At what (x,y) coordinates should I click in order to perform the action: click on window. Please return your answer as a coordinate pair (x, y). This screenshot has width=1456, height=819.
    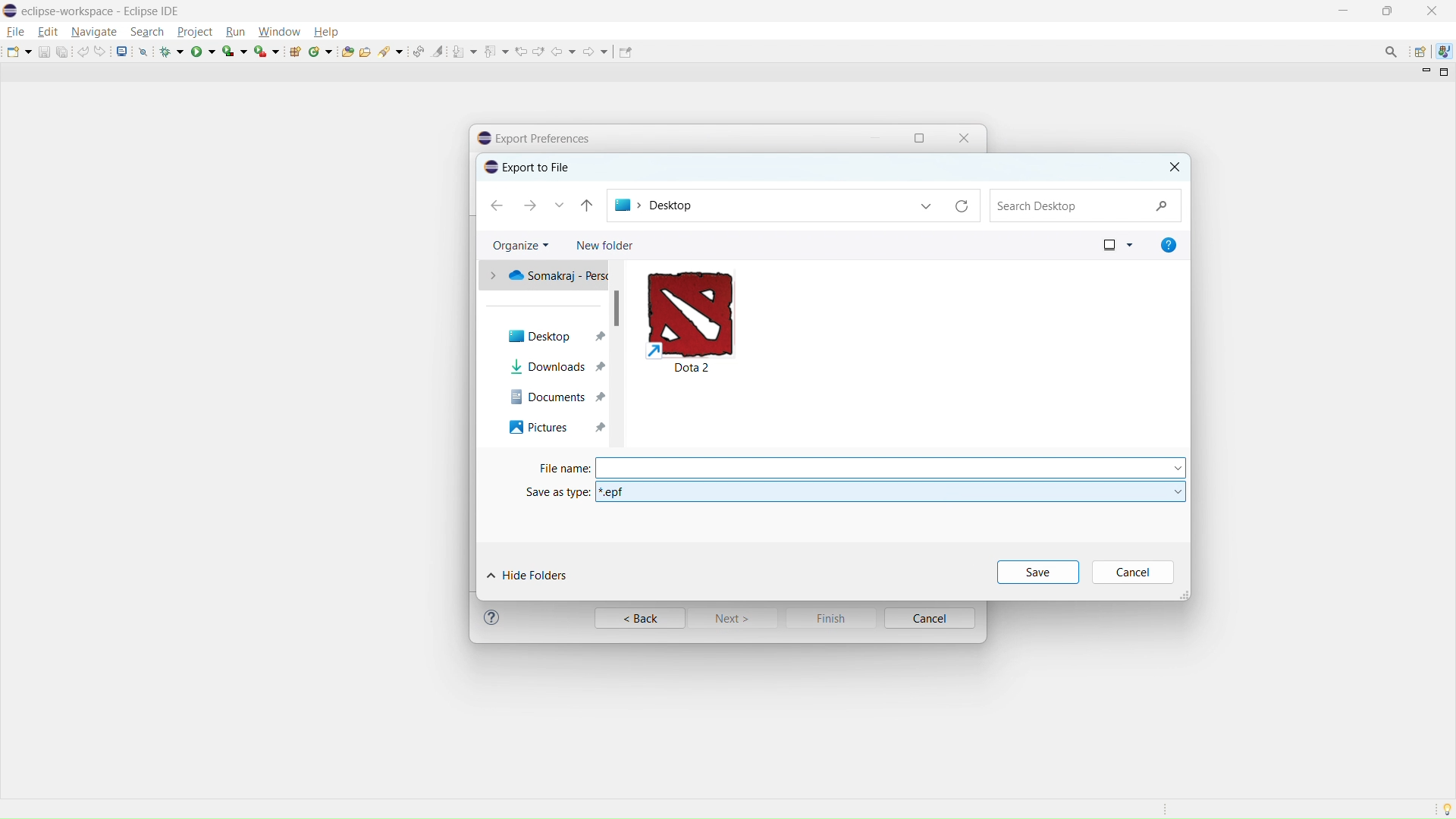
    Looking at the image, I should click on (1107, 245).